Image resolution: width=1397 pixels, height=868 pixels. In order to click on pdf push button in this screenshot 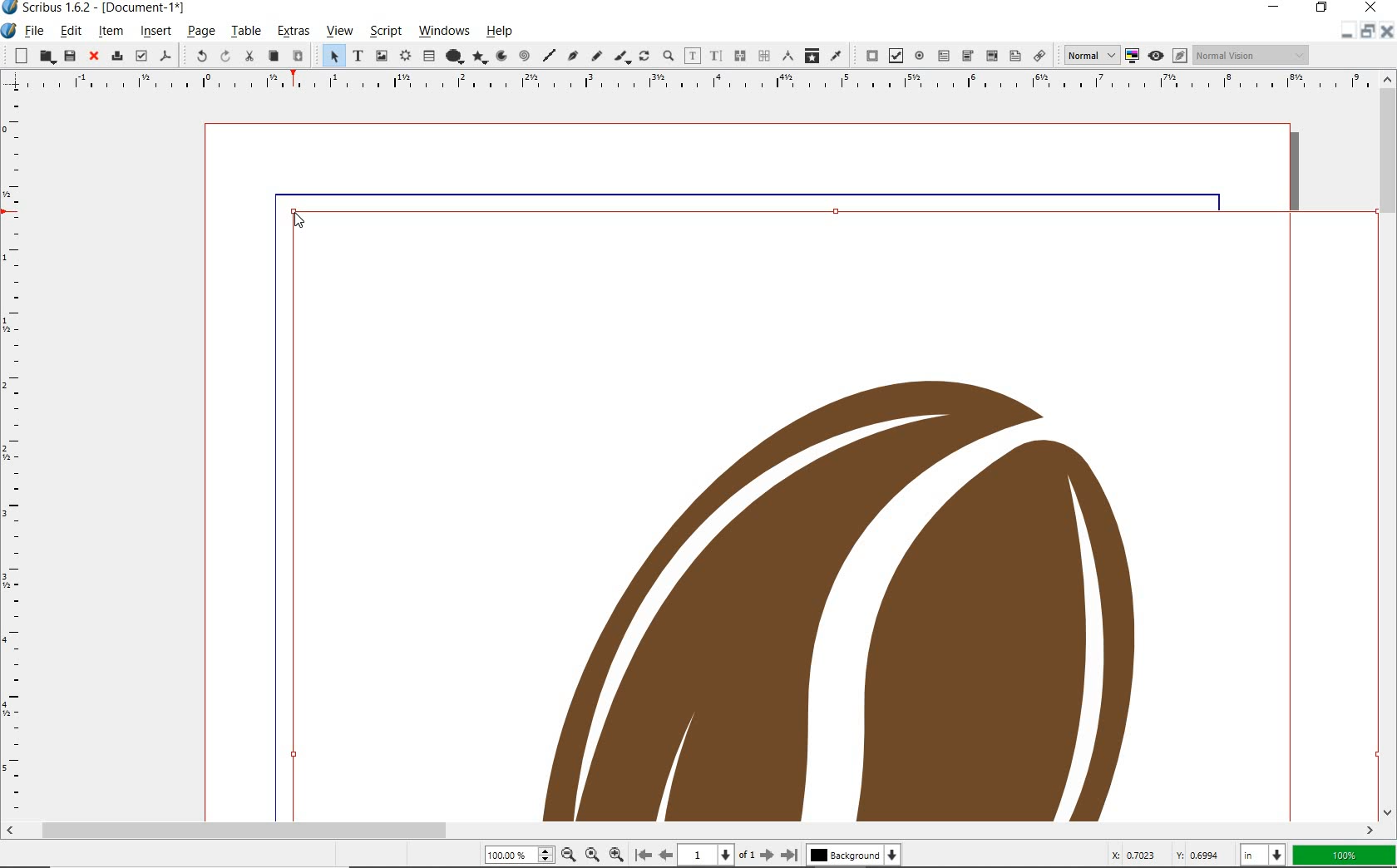, I will do `click(866, 55)`.